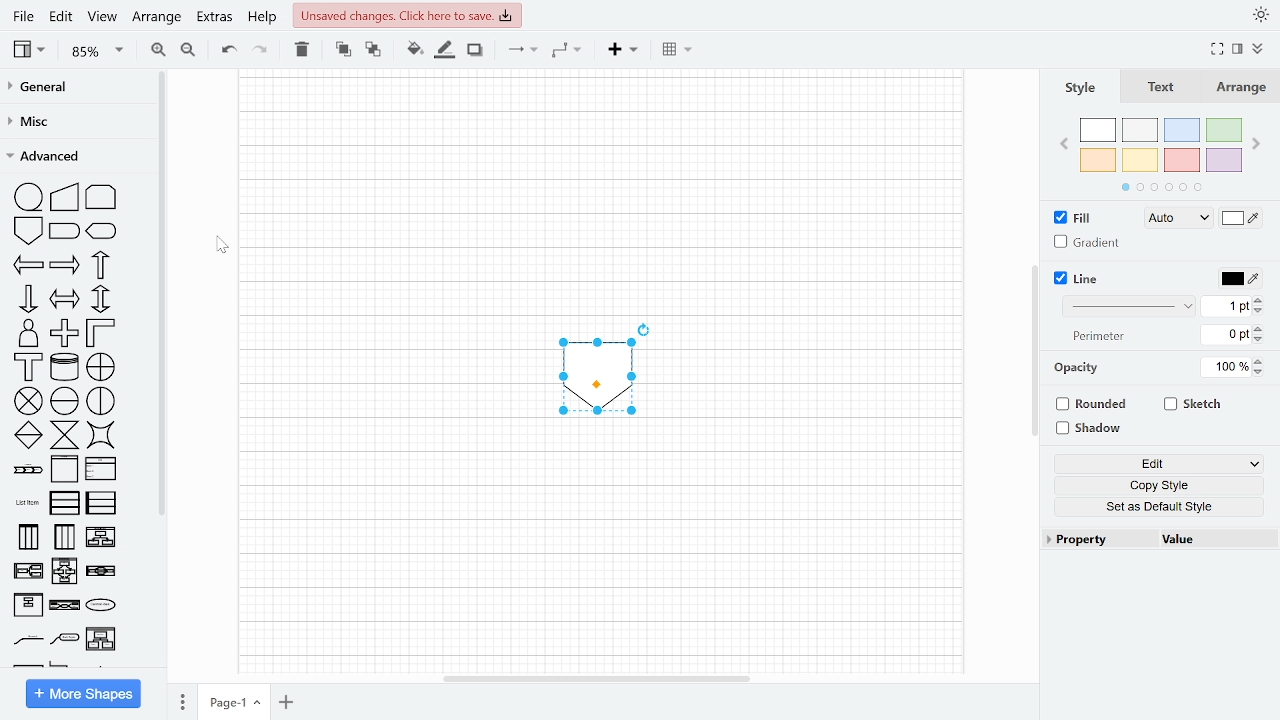 The image size is (1280, 720). I want to click on orgchart, so click(65, 639).